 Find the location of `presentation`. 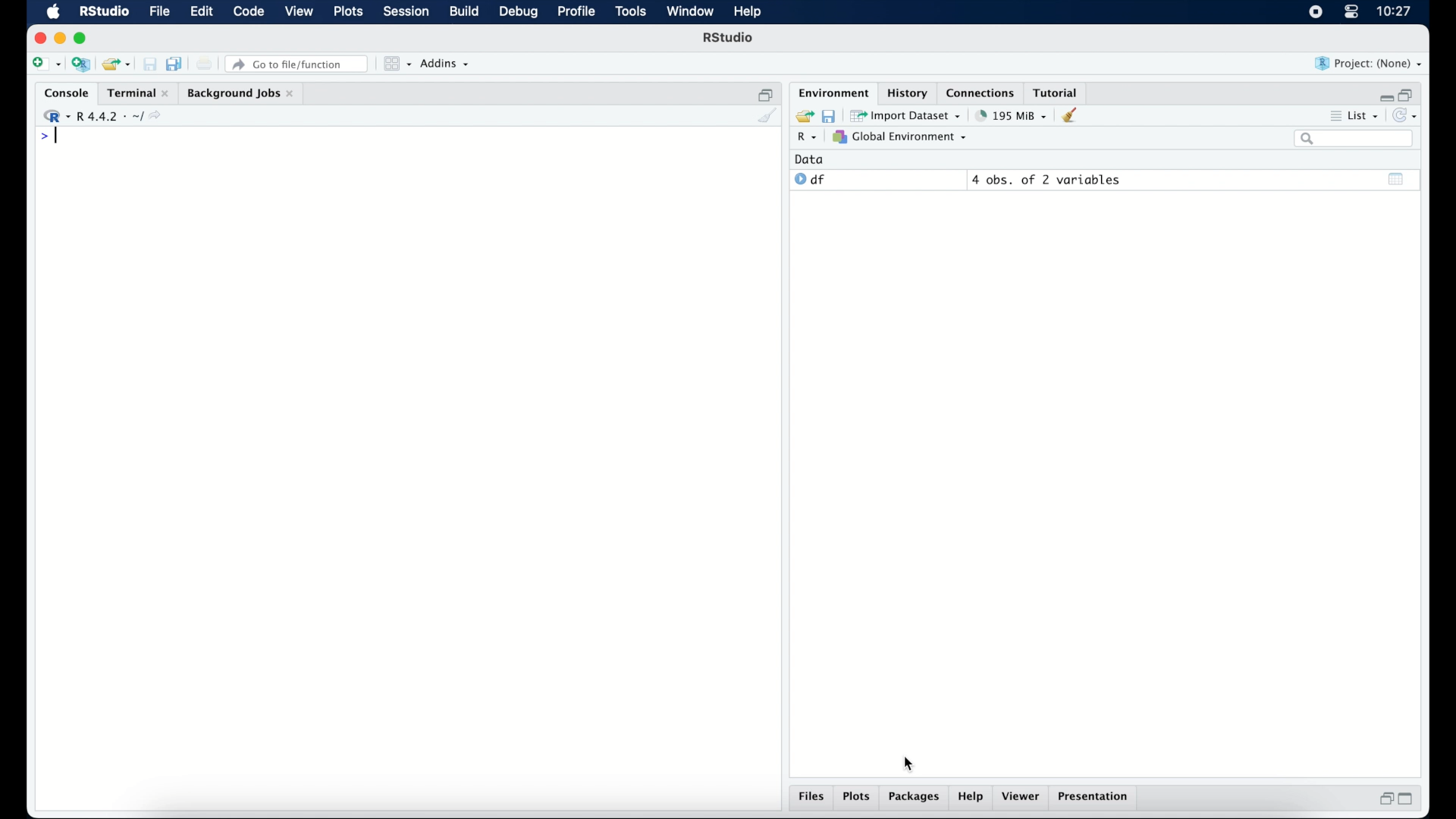

presentation is located at coordinates (1095, 798).